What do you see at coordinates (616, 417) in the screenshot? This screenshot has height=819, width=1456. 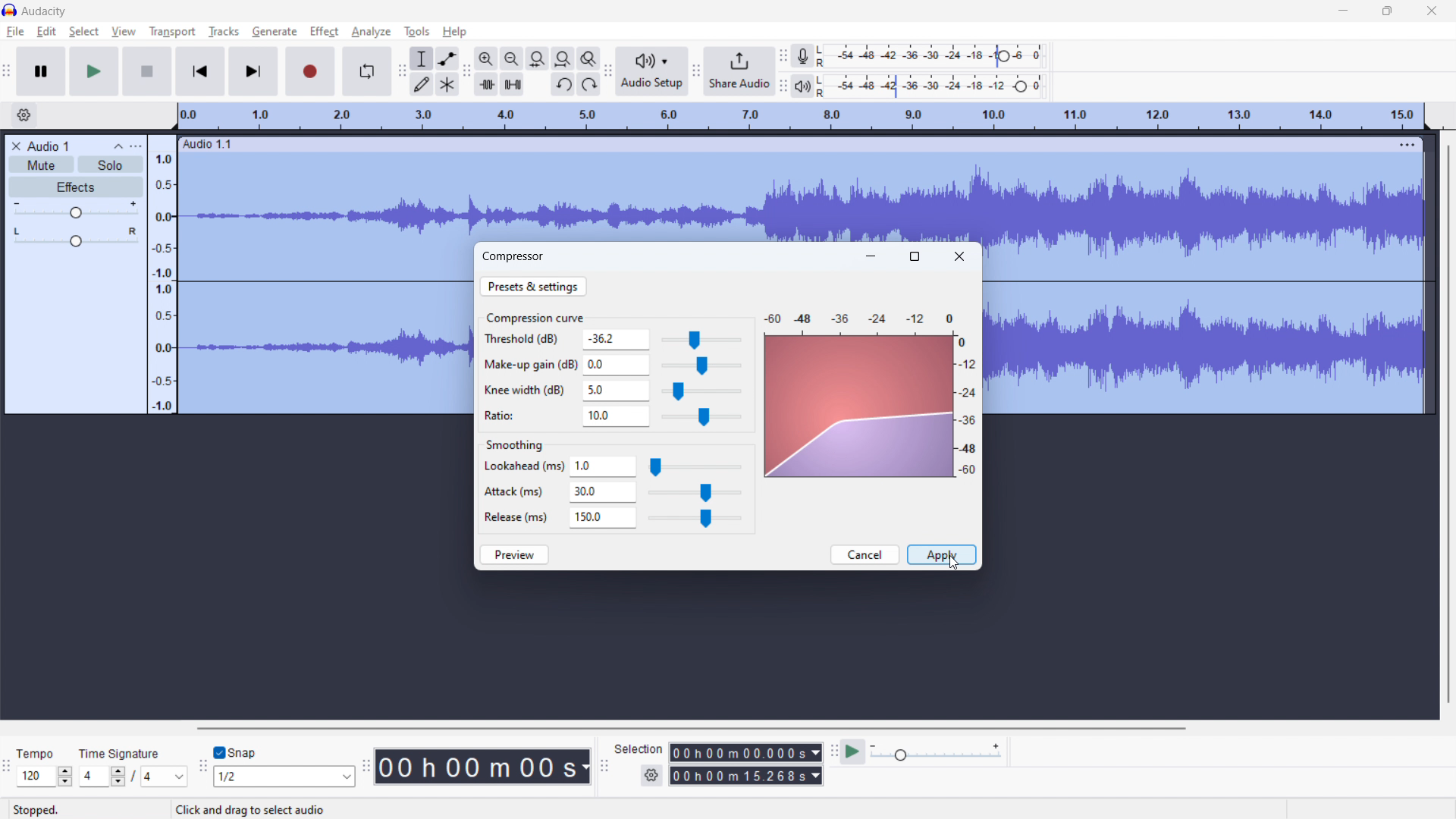 I see `10.0` at bounding box center [616, 417].